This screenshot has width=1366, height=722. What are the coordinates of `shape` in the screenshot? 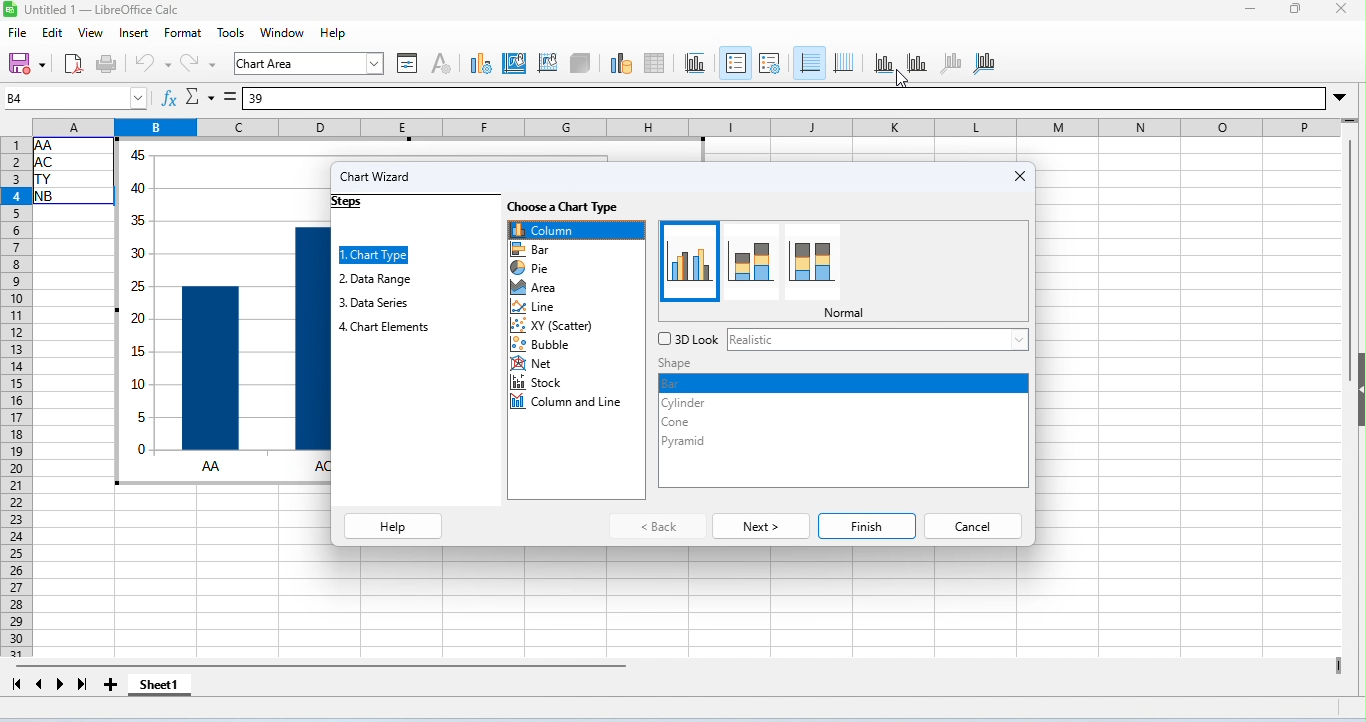 It's located at (683, 365).